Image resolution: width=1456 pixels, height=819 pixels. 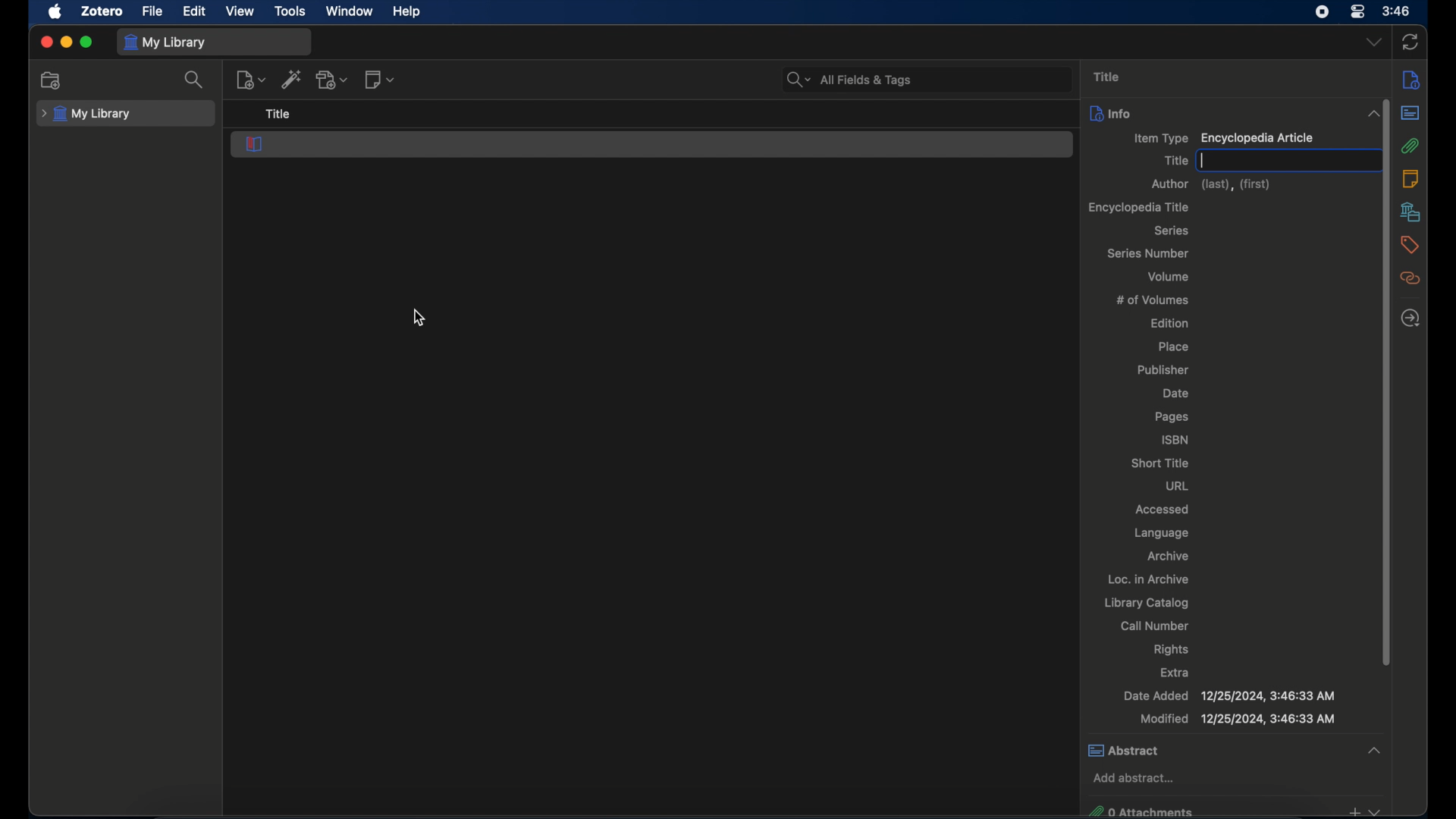 What do you see at coordinates (419, 318) in the screenshot?
I see `cursor` at bounding box center [419, 318].